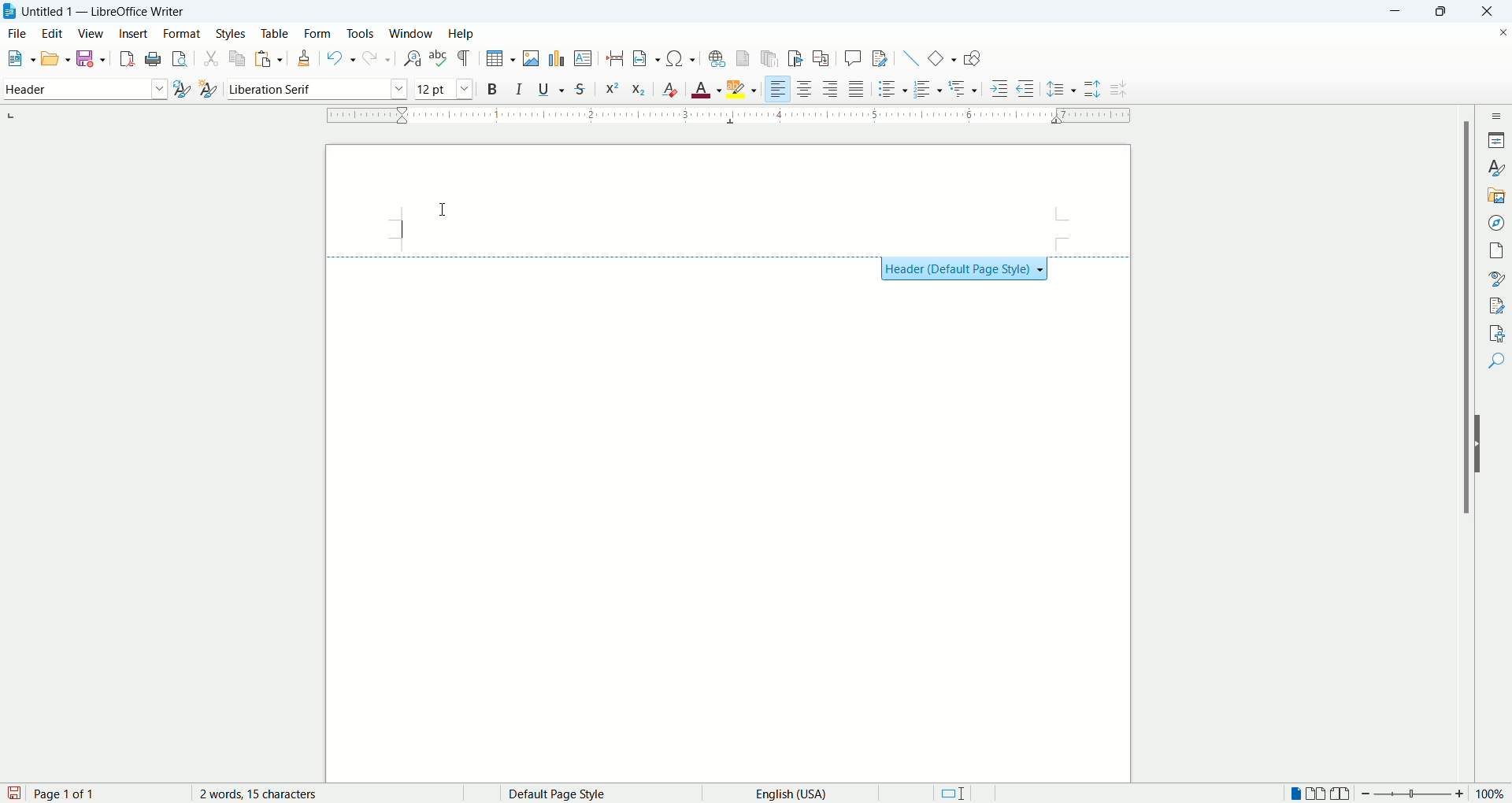  I want to click on pages, so click(1498, 250).